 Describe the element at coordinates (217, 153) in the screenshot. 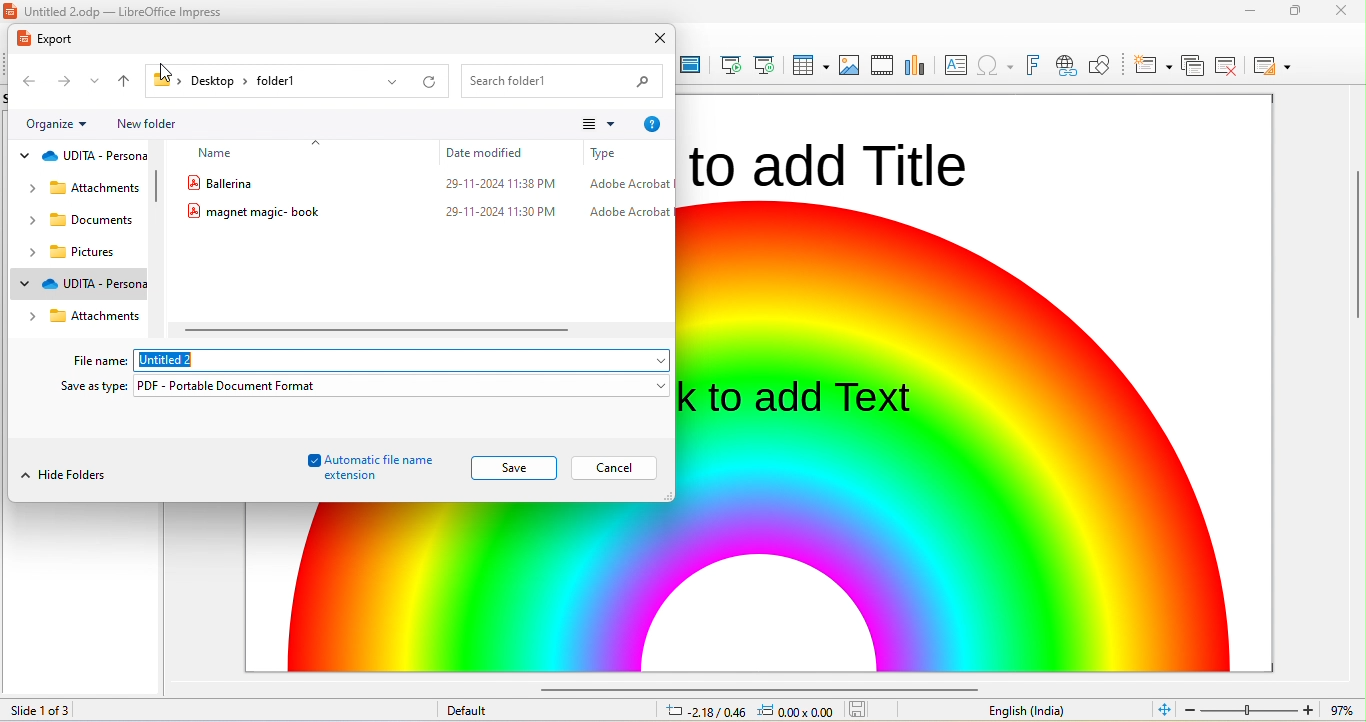

I see `name` at that location.